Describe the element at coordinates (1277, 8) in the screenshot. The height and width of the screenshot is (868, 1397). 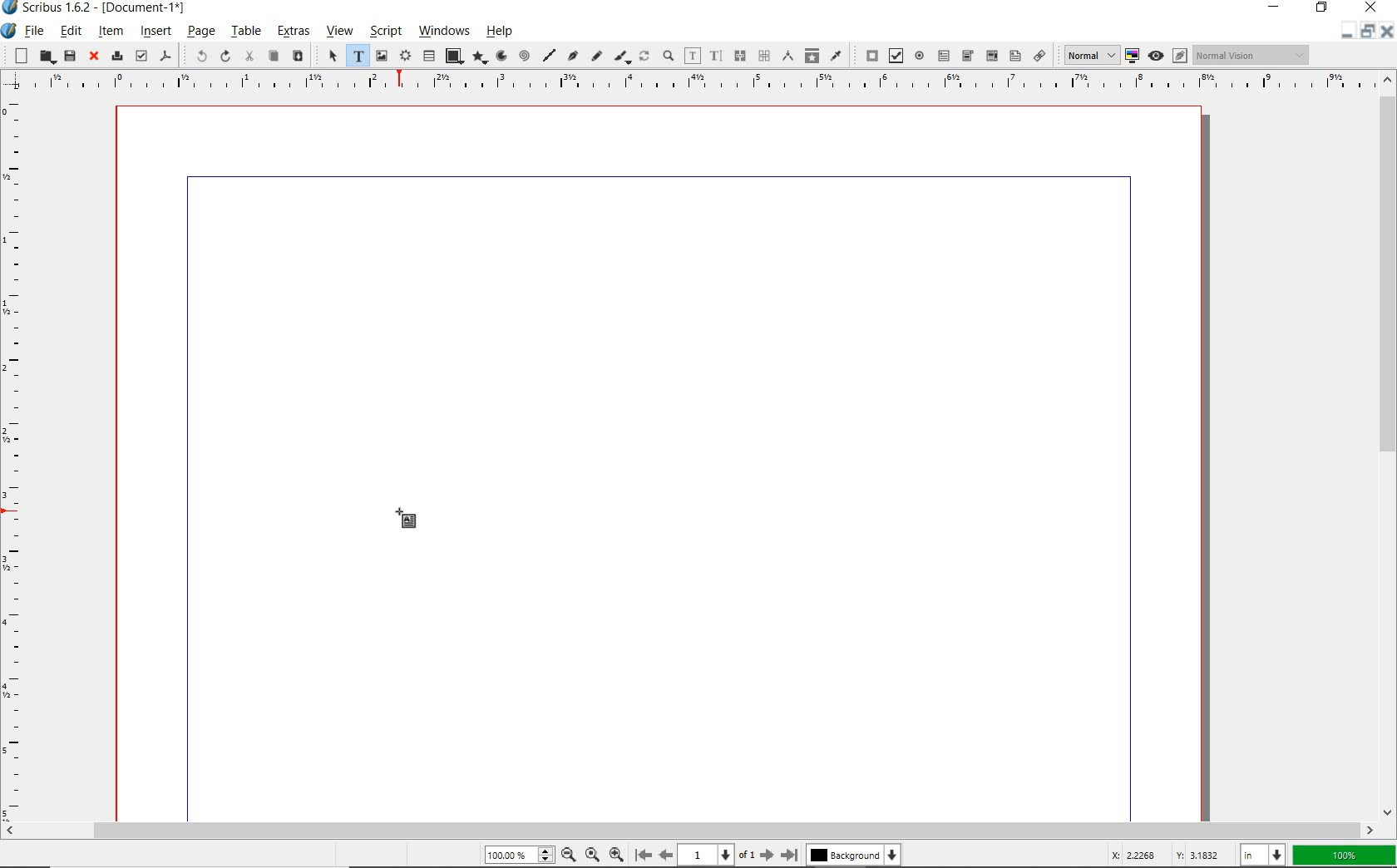
I see `minimize` at that location.